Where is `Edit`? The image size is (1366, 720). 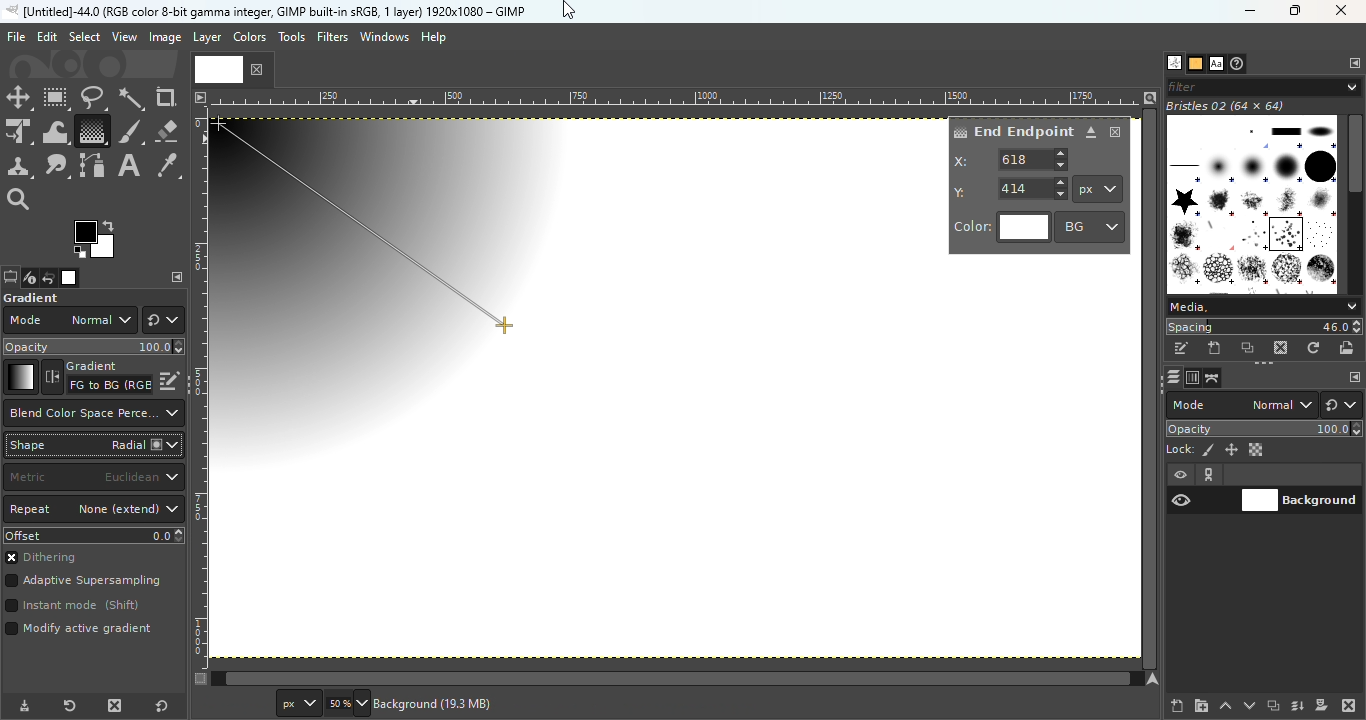 Edit is located at coordinates (47, 37).